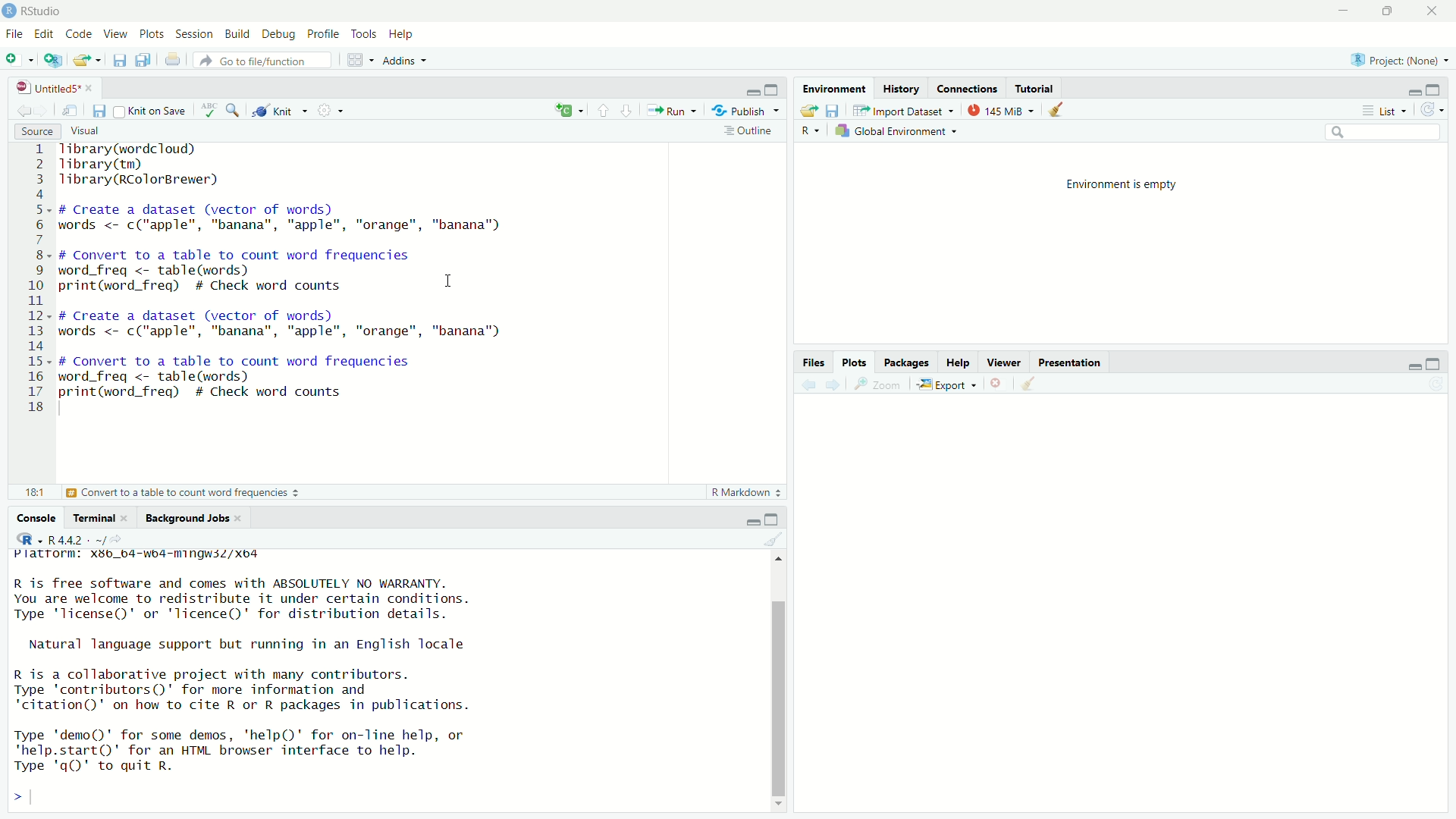  I want to click on 145 MiB , so click(1002, 113).